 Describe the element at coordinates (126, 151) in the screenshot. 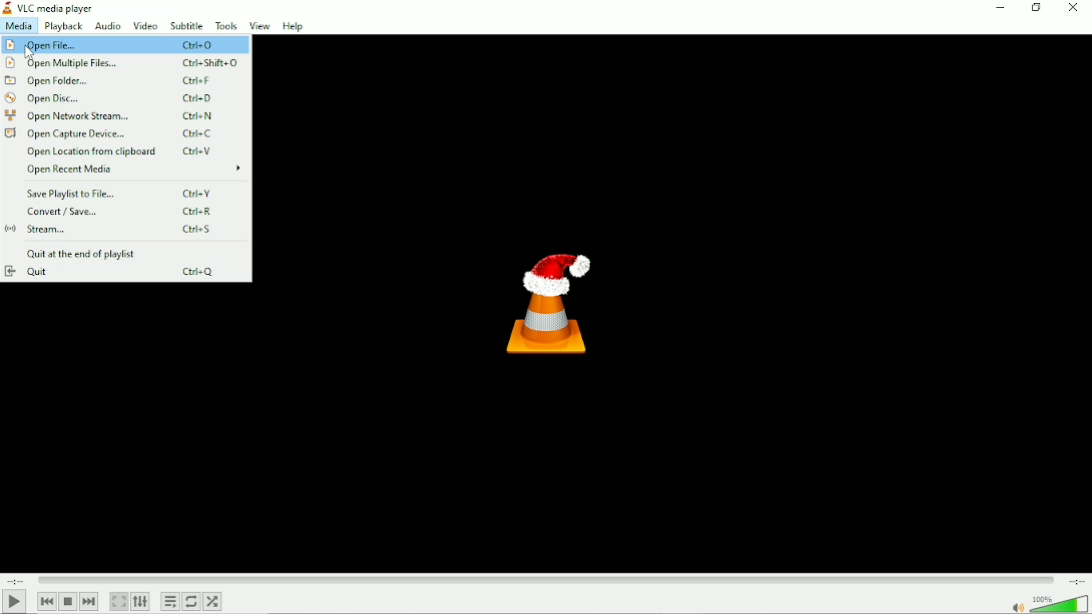

I see `Open location from clipboard` at that location.